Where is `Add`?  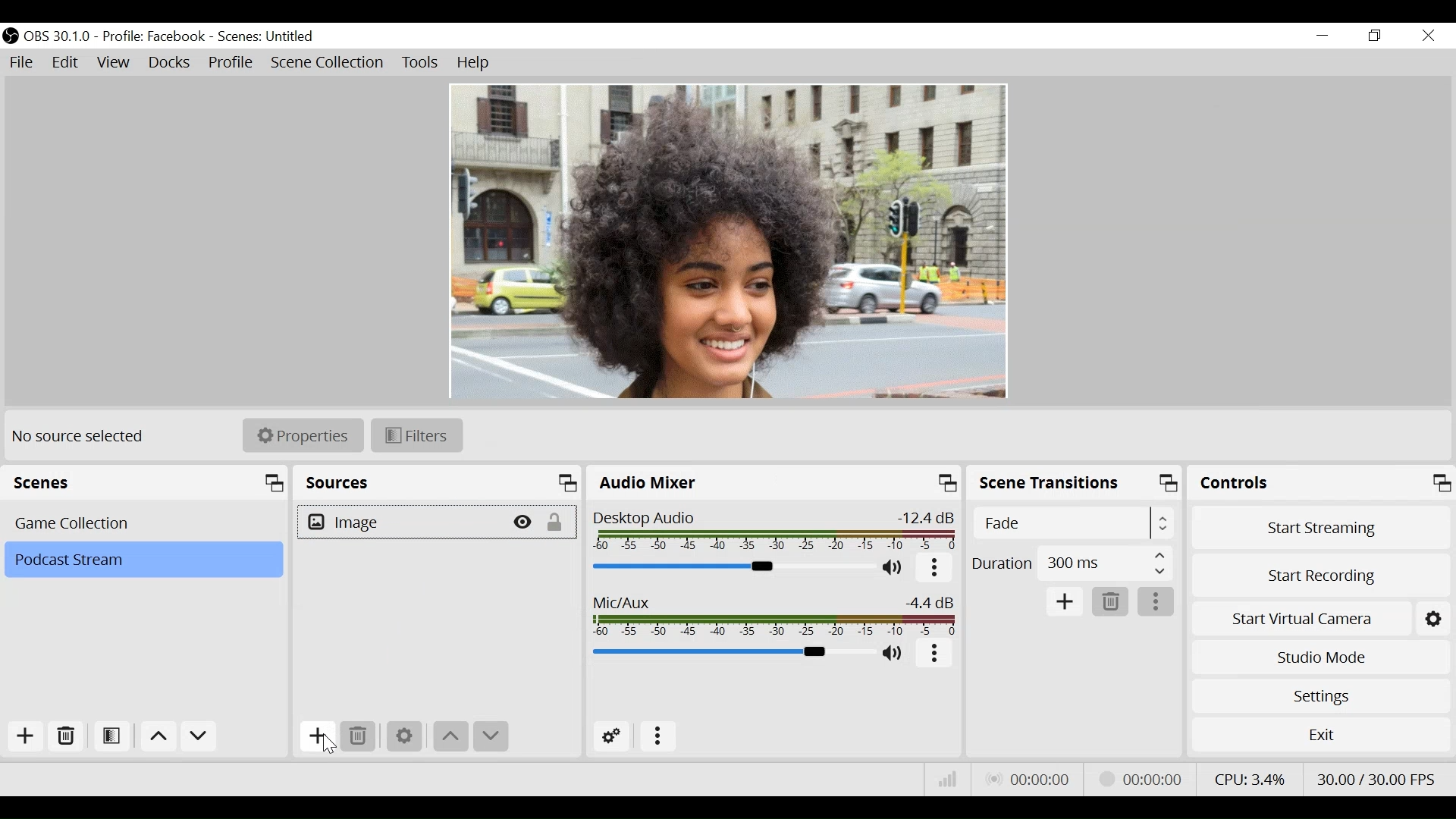 Add is located at coordinates (24, 736).